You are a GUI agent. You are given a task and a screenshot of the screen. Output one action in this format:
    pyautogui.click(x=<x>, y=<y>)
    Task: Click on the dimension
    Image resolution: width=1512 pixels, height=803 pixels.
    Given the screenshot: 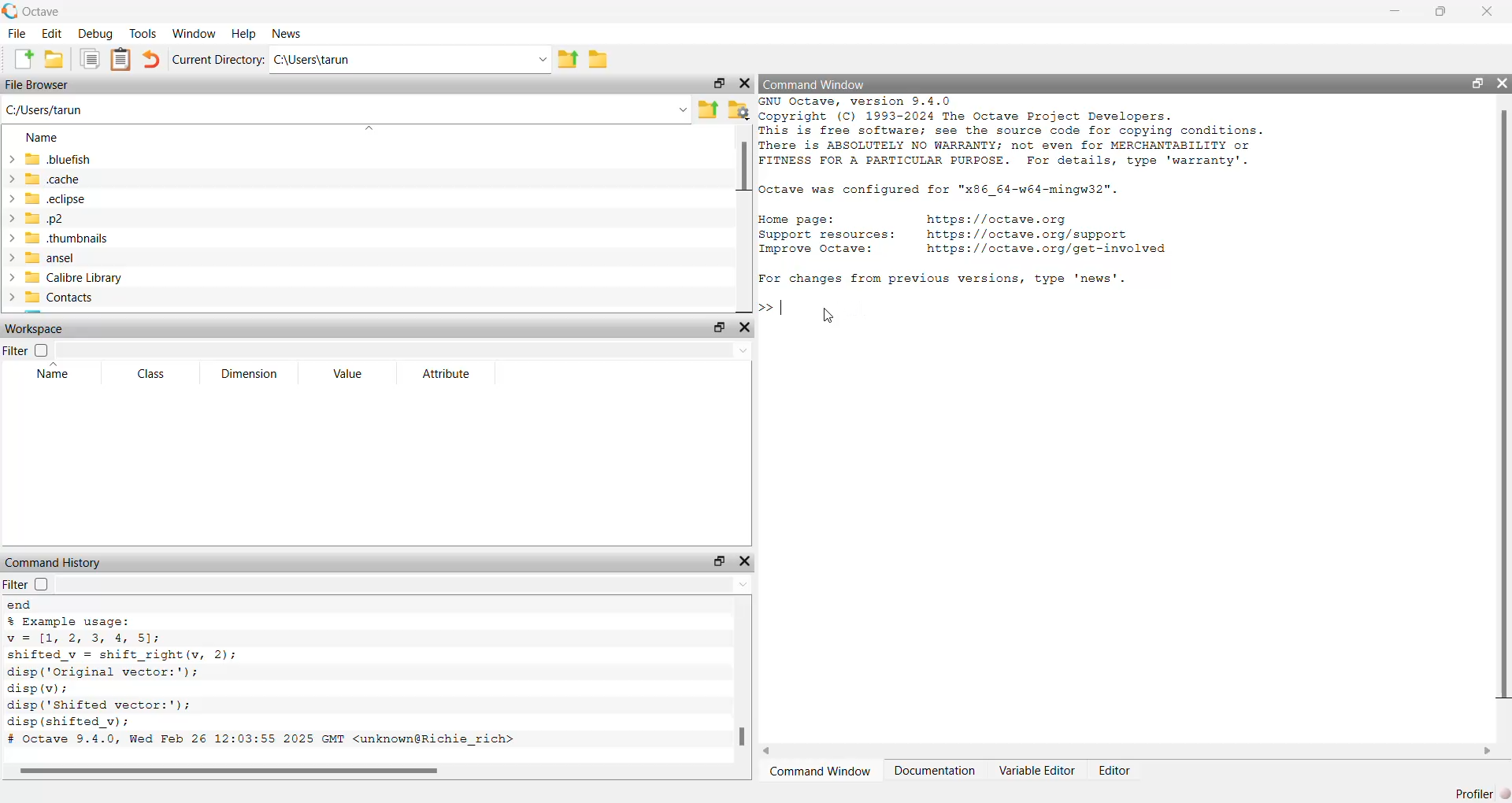 What is the action you would take?
    pyautogui.click(x=250, y=375)
    